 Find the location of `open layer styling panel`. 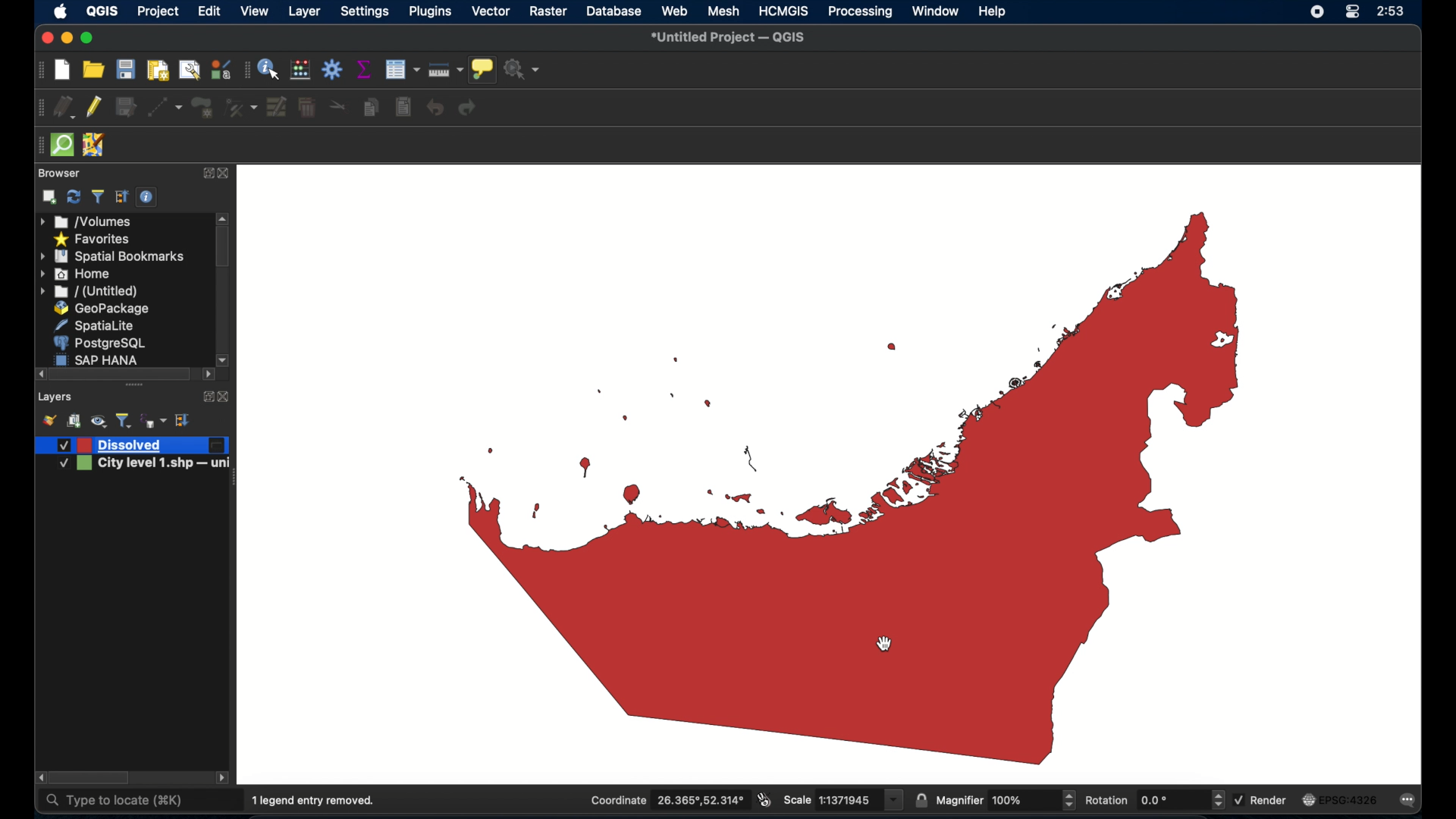

open layer styling panel is located at coordinates (49, 422).